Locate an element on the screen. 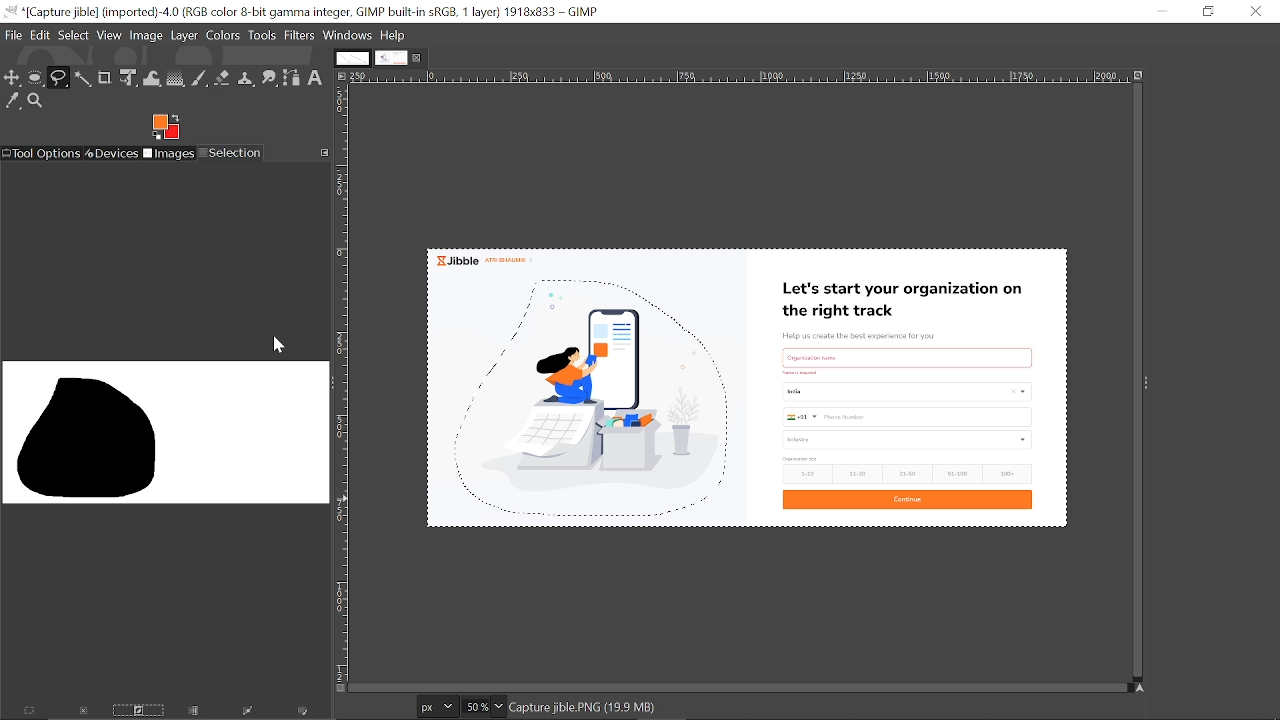 This screenshot has height=720, width=1280. Zoom options is located at coordinates (499, 707).